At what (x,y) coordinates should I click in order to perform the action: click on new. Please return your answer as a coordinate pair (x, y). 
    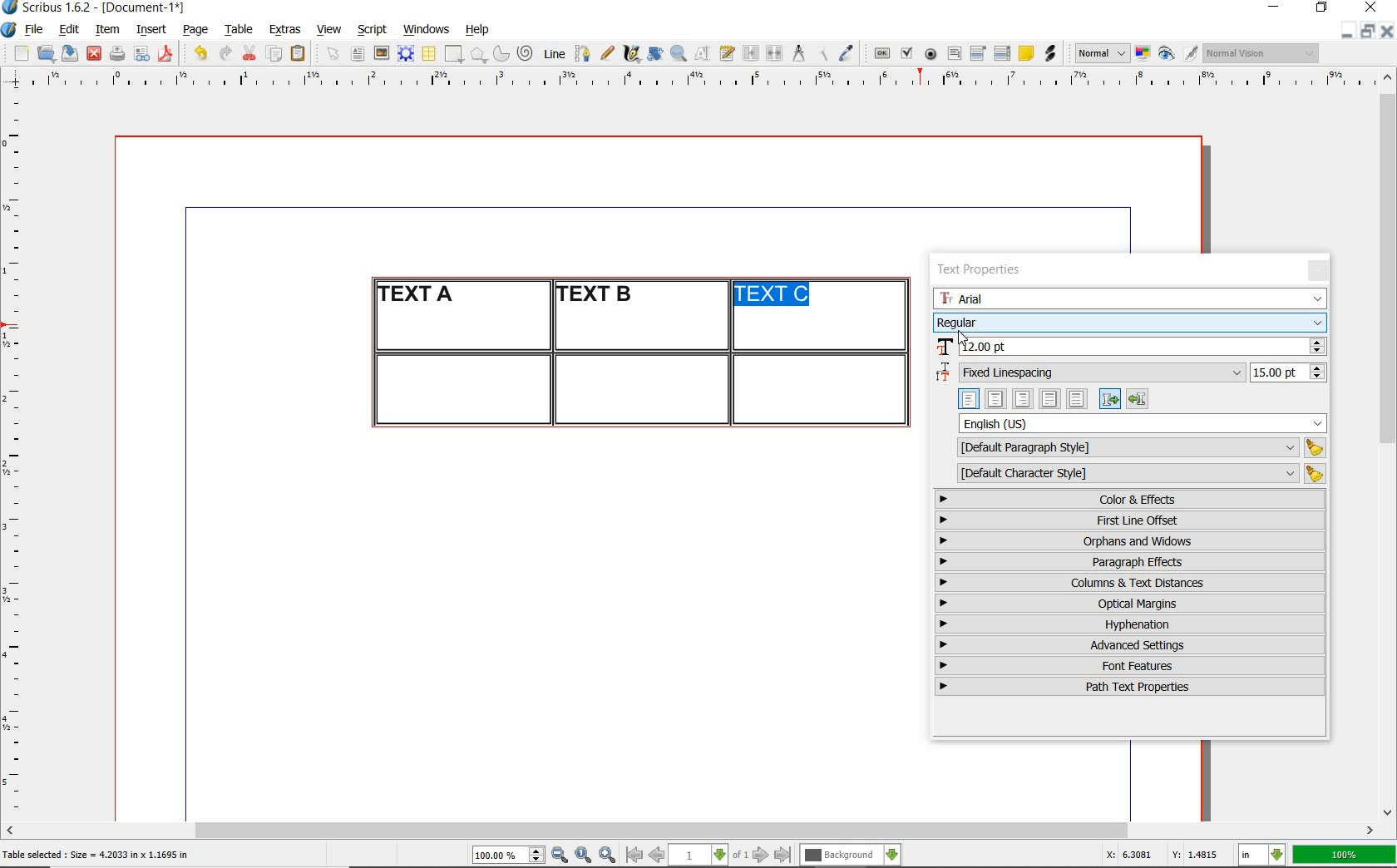
    Looking at the image, I should click on (19, 53).